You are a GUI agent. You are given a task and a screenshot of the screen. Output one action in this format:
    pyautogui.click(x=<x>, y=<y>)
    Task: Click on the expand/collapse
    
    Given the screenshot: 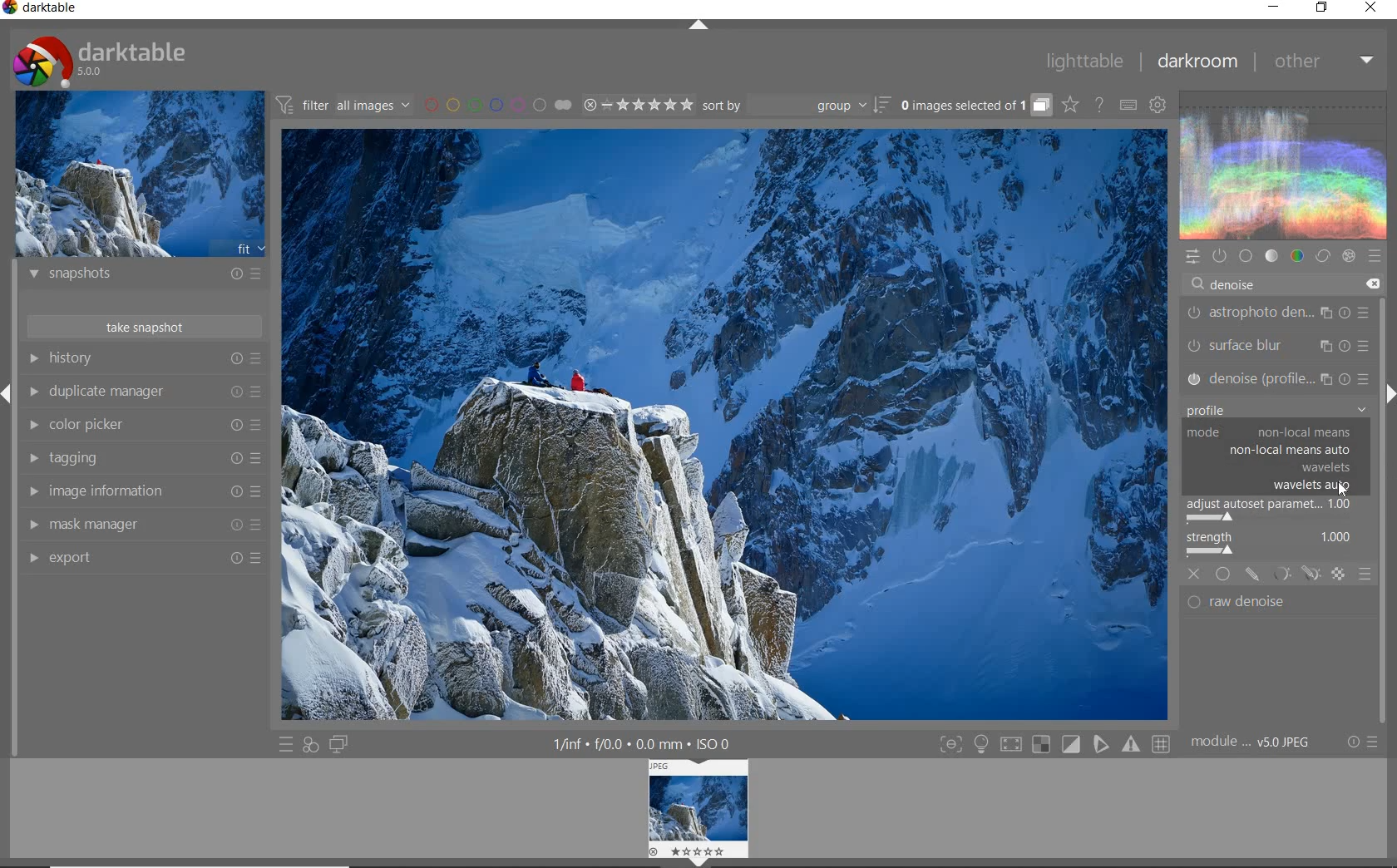 What is the action you would take?
    pyautogui.click(x=697, y=26)
    